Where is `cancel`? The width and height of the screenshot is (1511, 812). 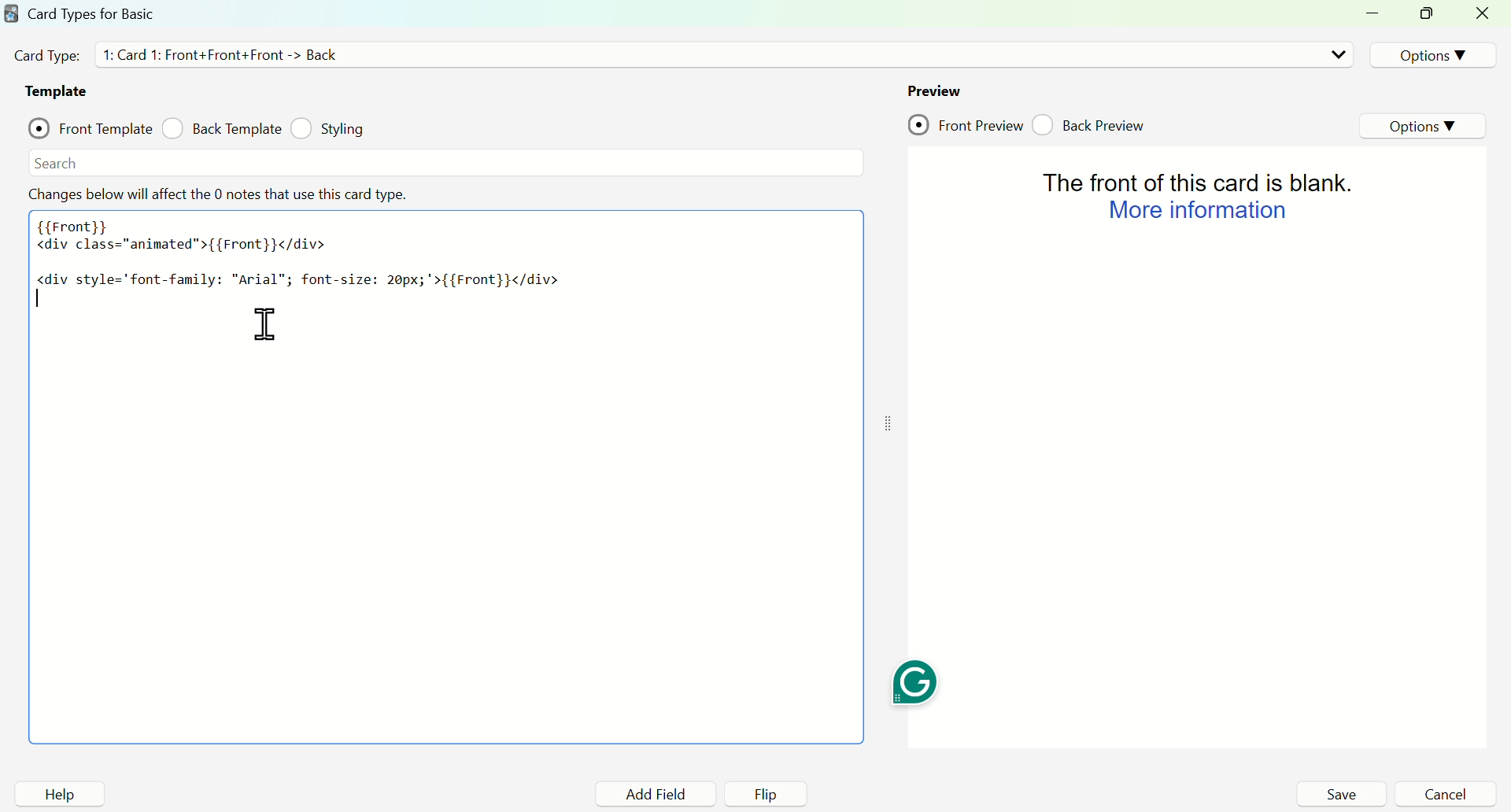
cancel is located at coordinates (1445, 794).